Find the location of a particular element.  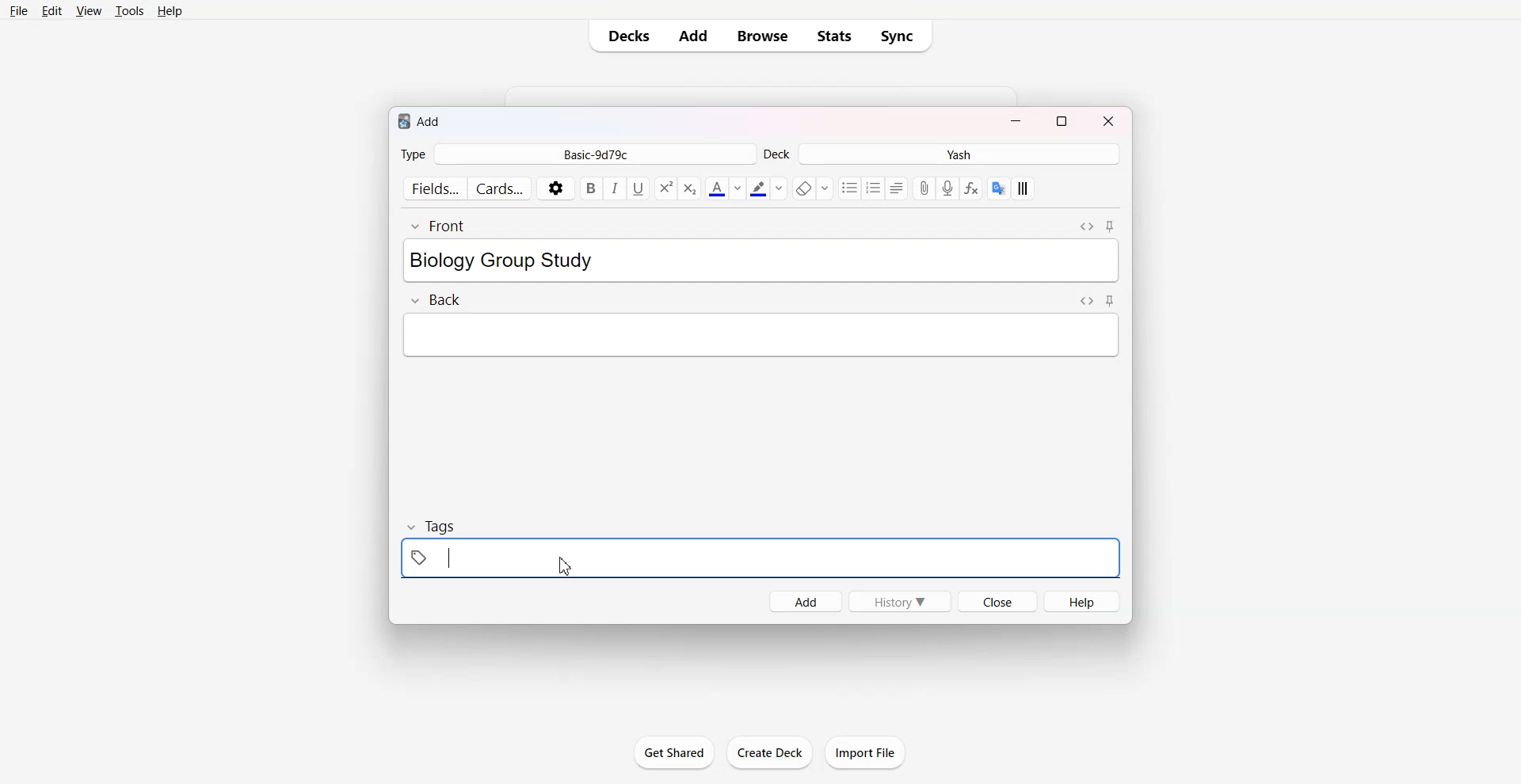

Apply Custom style  is located at coordinates (1022, 188).